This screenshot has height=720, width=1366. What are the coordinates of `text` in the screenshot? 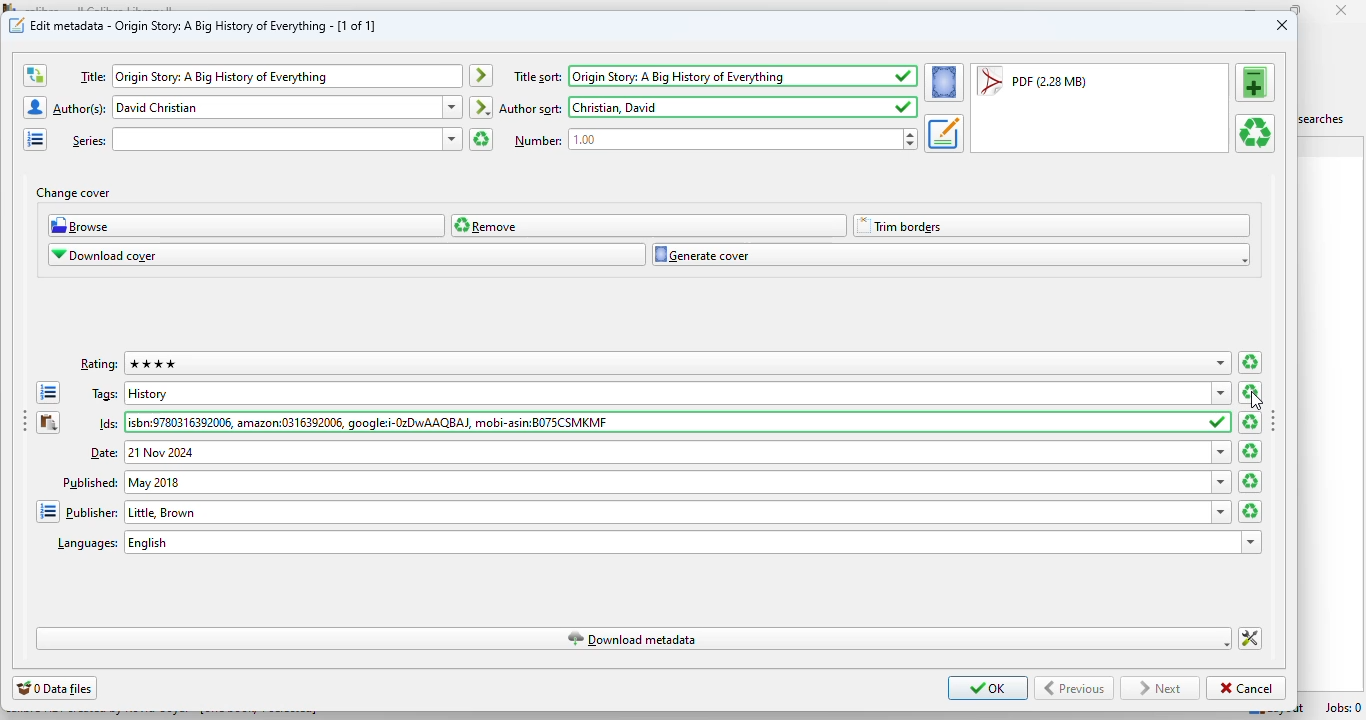 It's located at (80, 110).